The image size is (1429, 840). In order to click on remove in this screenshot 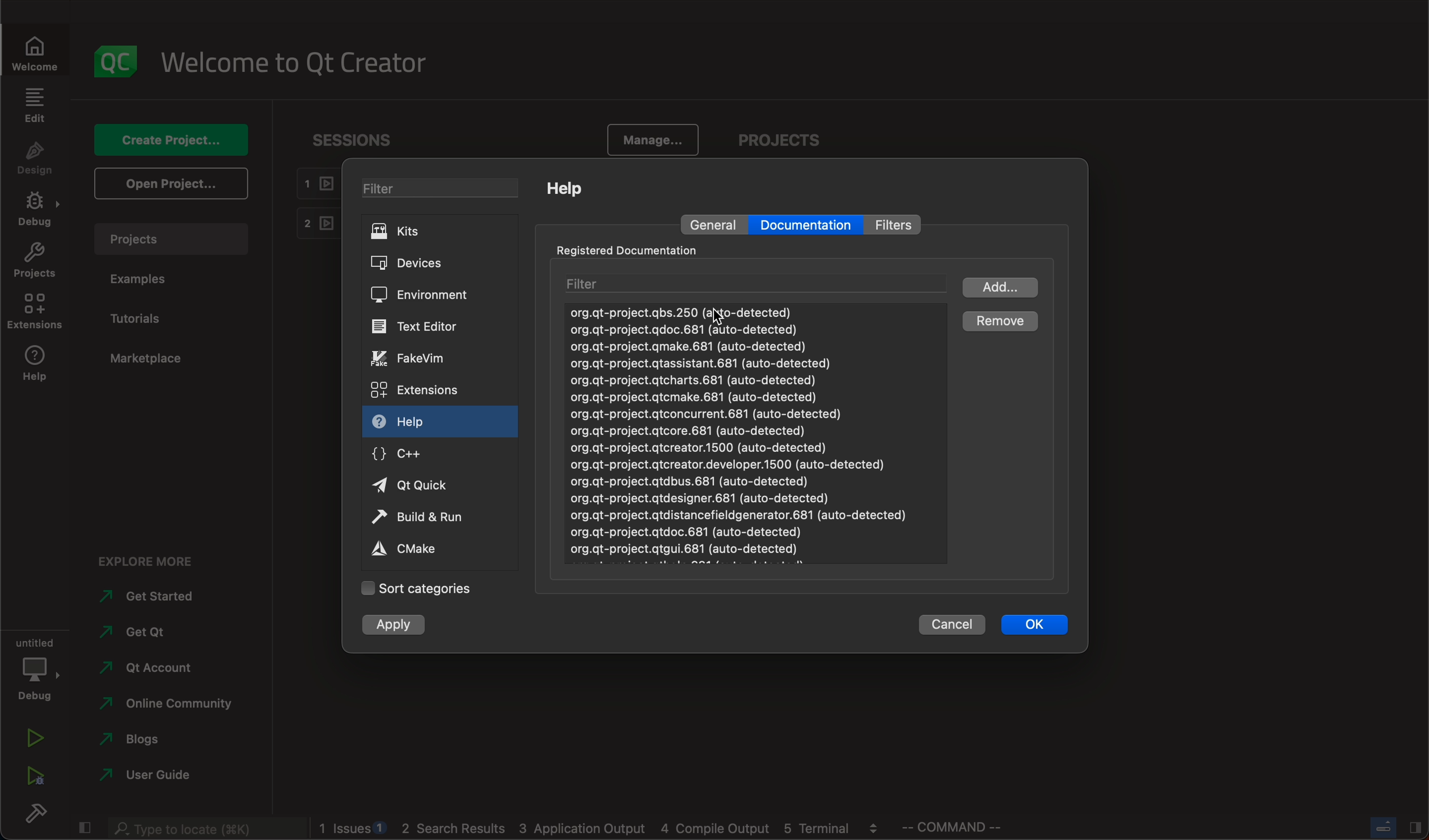, I will do `click(995, 323)`.